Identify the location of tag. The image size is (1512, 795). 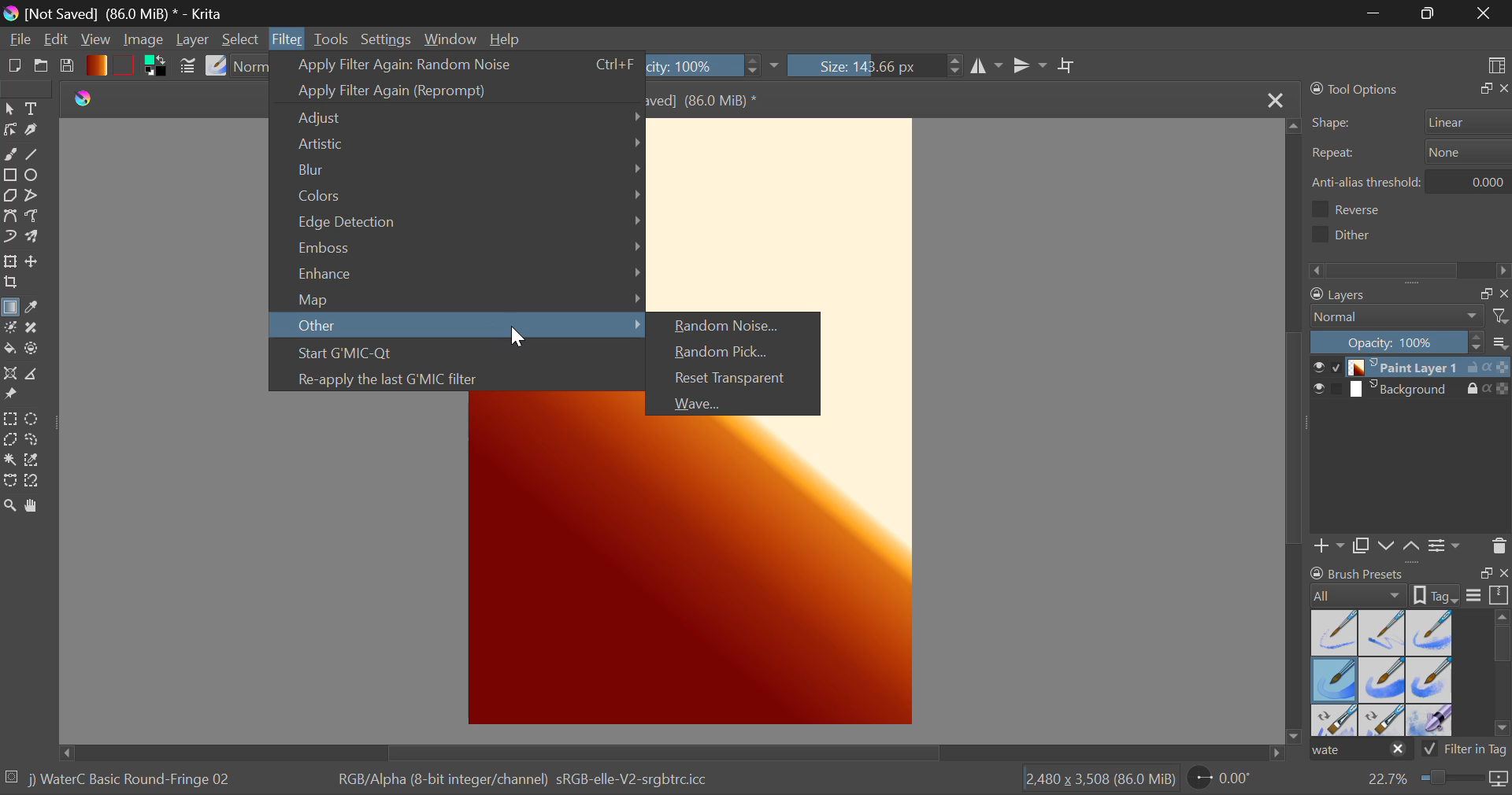
(1438, 594).